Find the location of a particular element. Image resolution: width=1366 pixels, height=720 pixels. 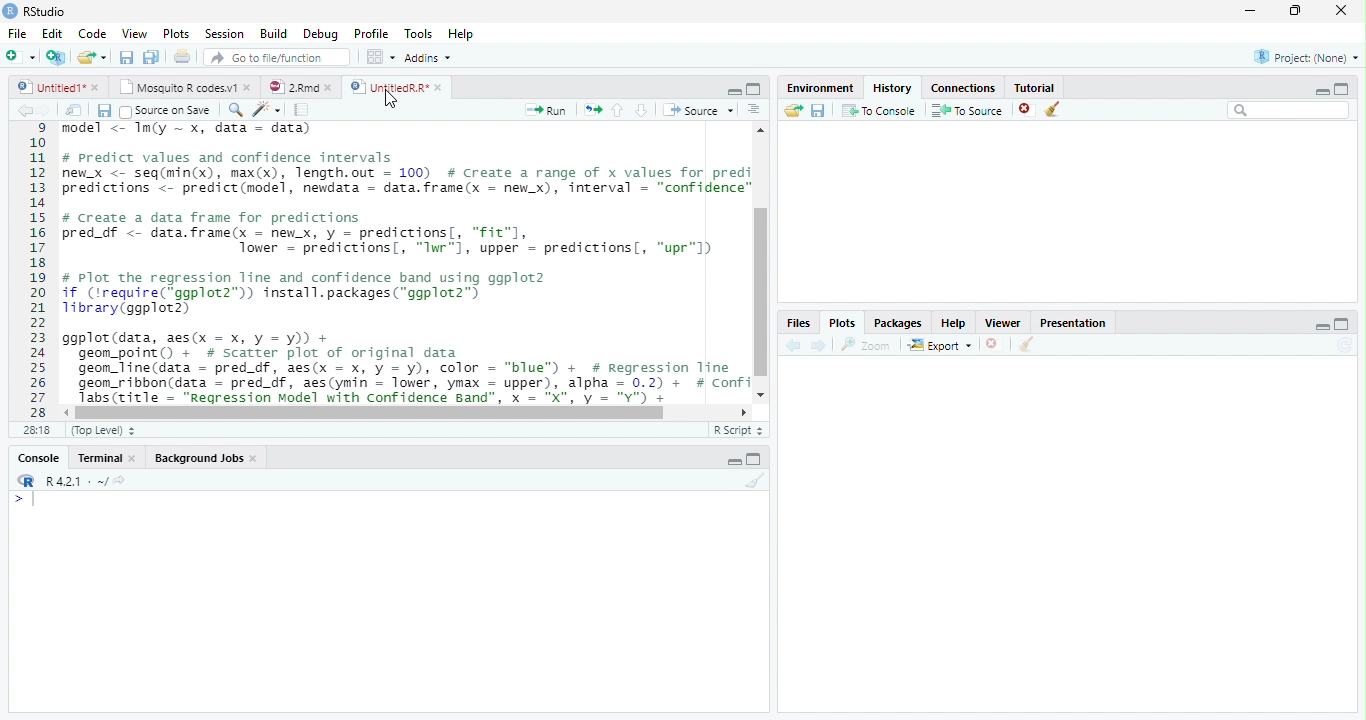

Zoom is located at coordinates (865, 346).